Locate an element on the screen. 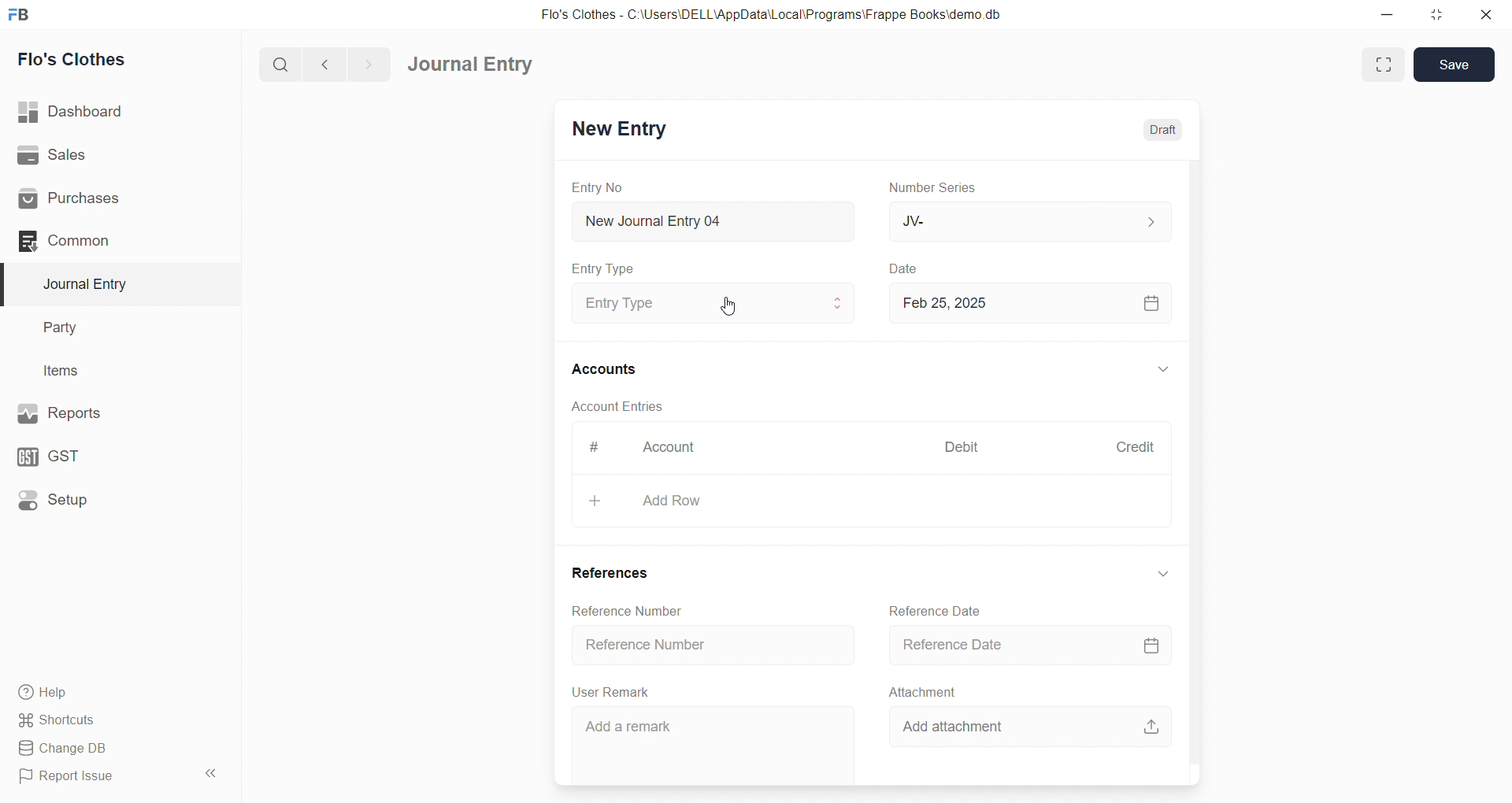 Image resolution: width=1512 pixels, height=803 pixels. resize is located at coordinates (1436, 14).